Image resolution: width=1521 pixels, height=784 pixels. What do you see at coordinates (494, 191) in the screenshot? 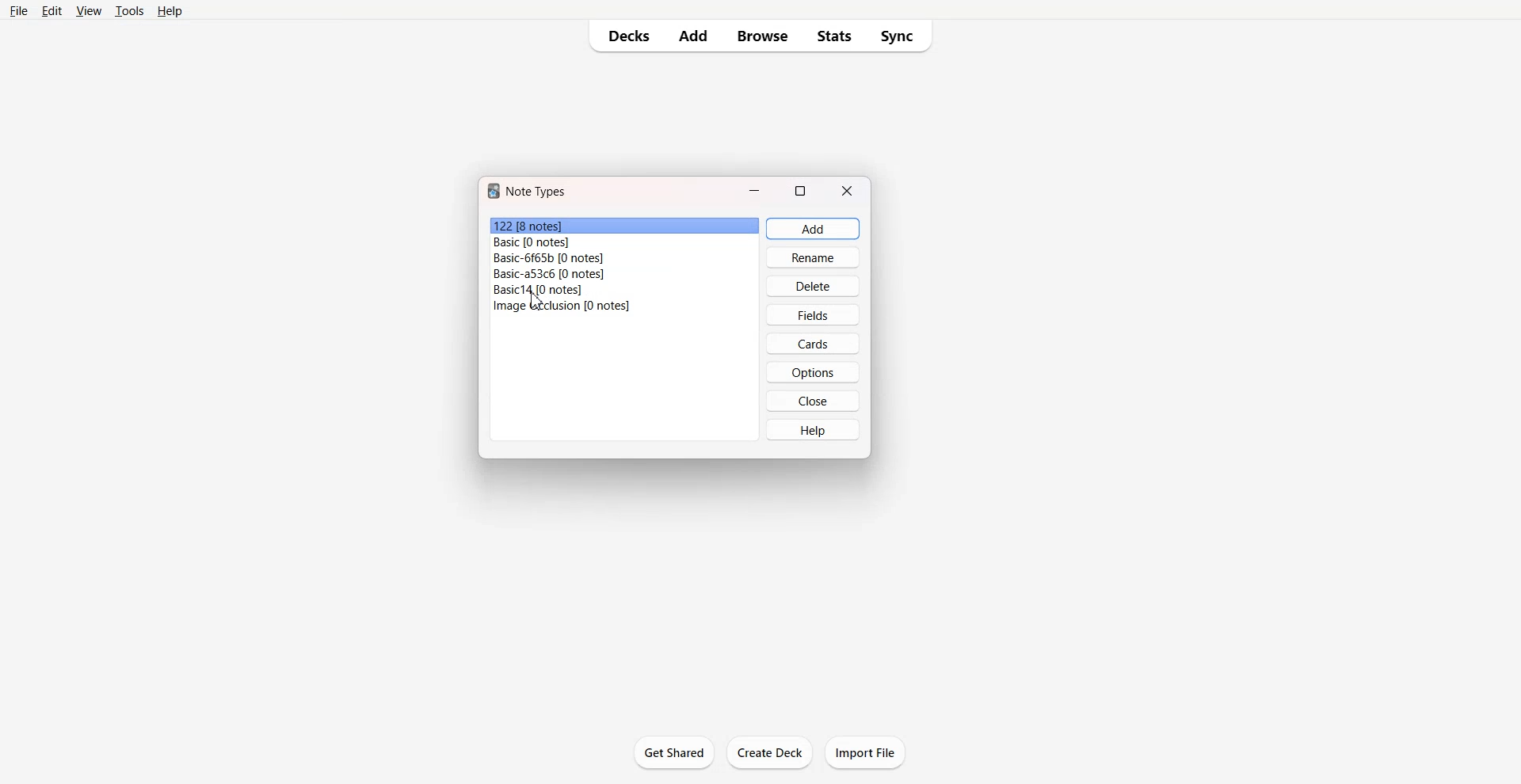
I see `Software logo` at bounding box center [494, 191].